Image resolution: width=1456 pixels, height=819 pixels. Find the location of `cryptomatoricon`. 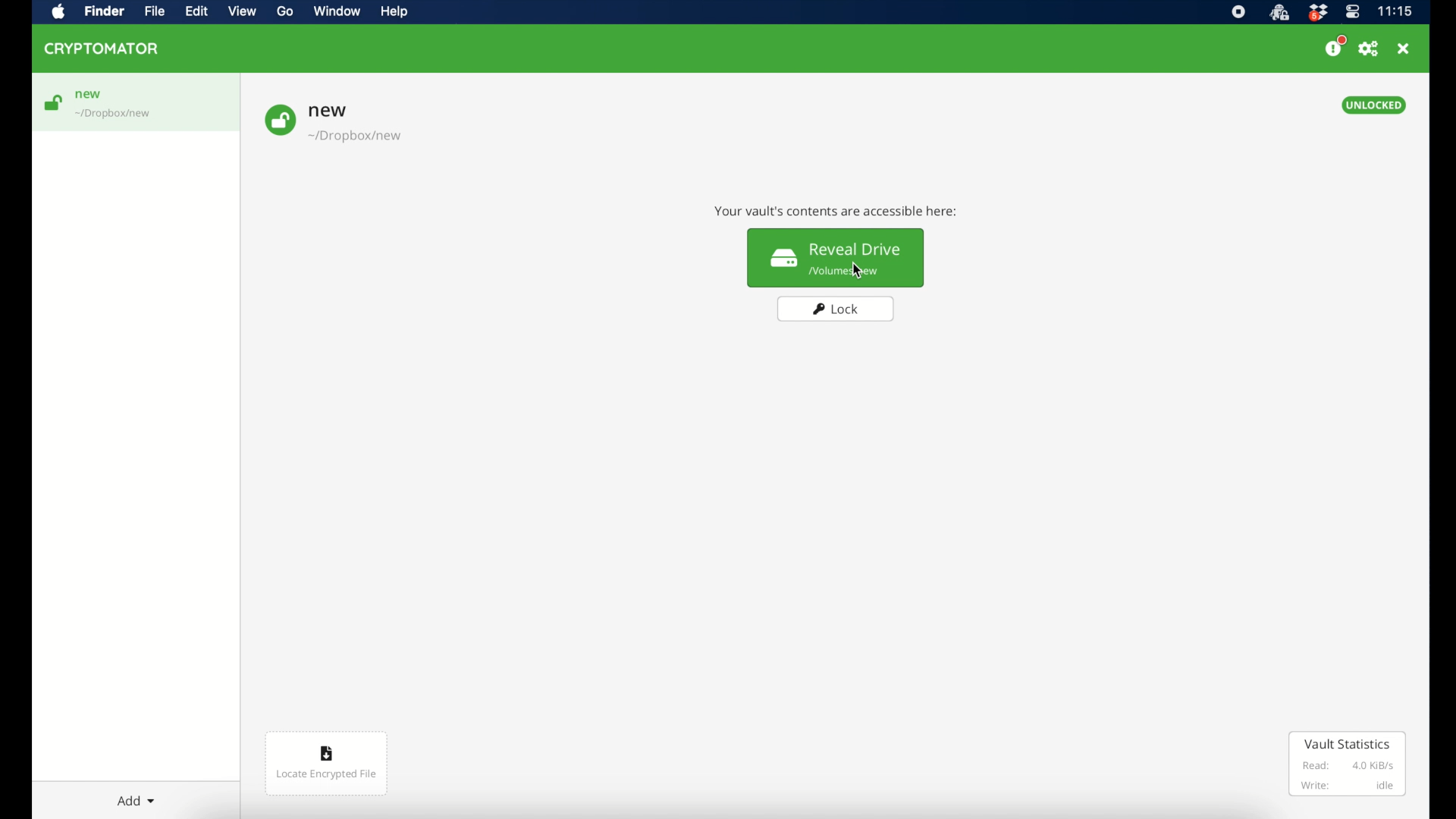

cryptomatoricon is located at coordinates (1279, 13).